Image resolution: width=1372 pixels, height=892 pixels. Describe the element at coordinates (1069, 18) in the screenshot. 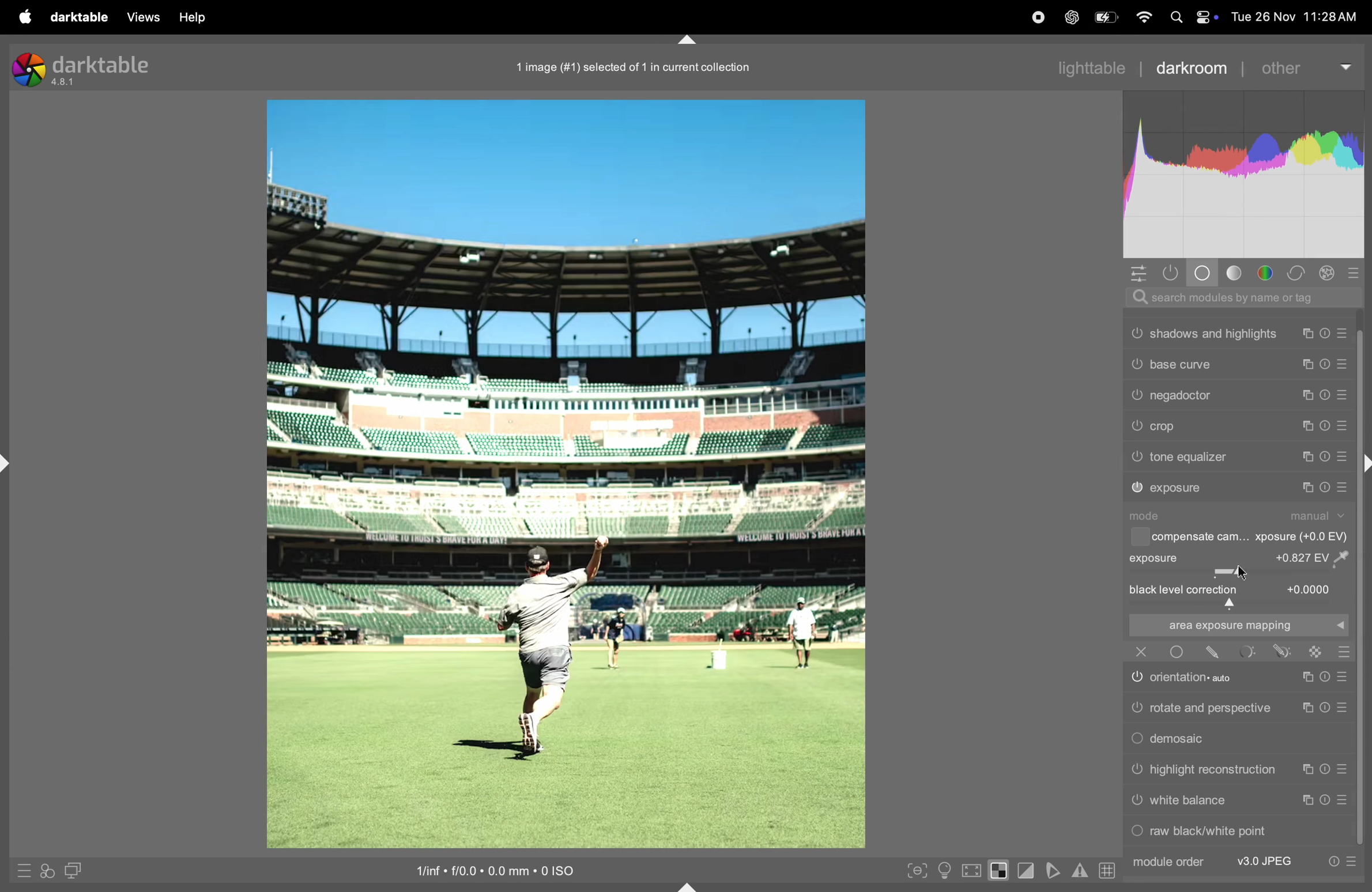

I see `chatgpt` at that location.